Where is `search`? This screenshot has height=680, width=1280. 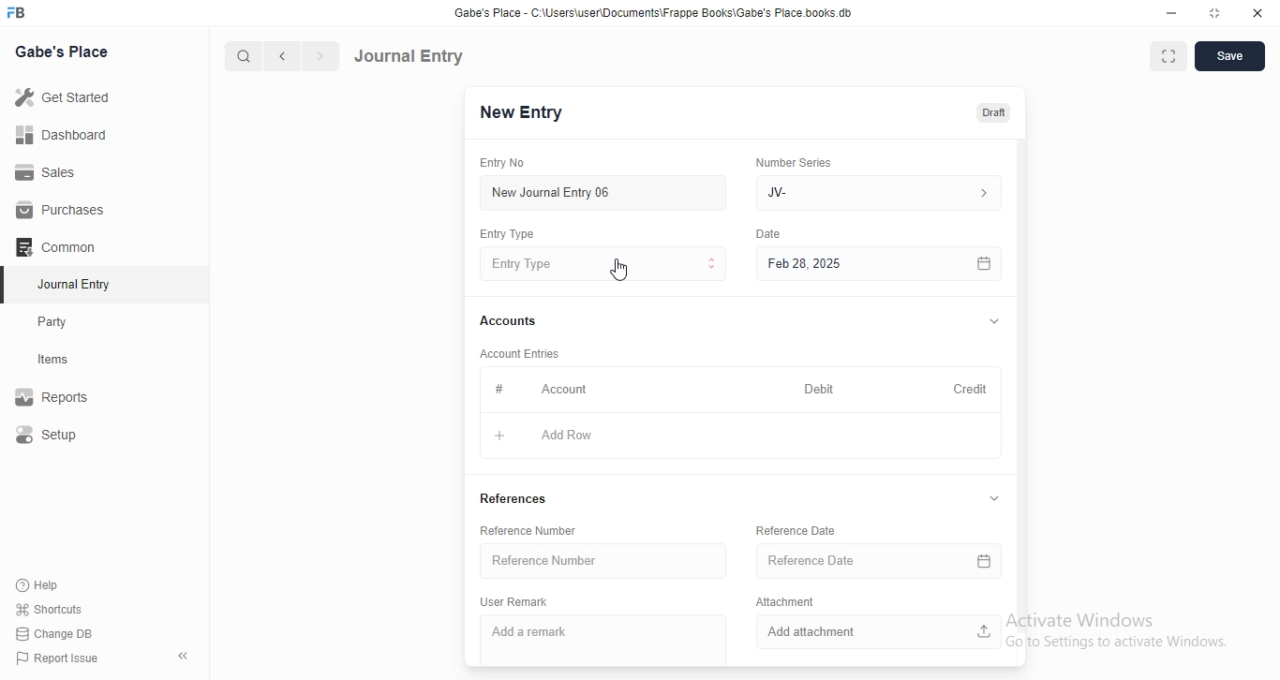
search is located at coordinates (245, 56).